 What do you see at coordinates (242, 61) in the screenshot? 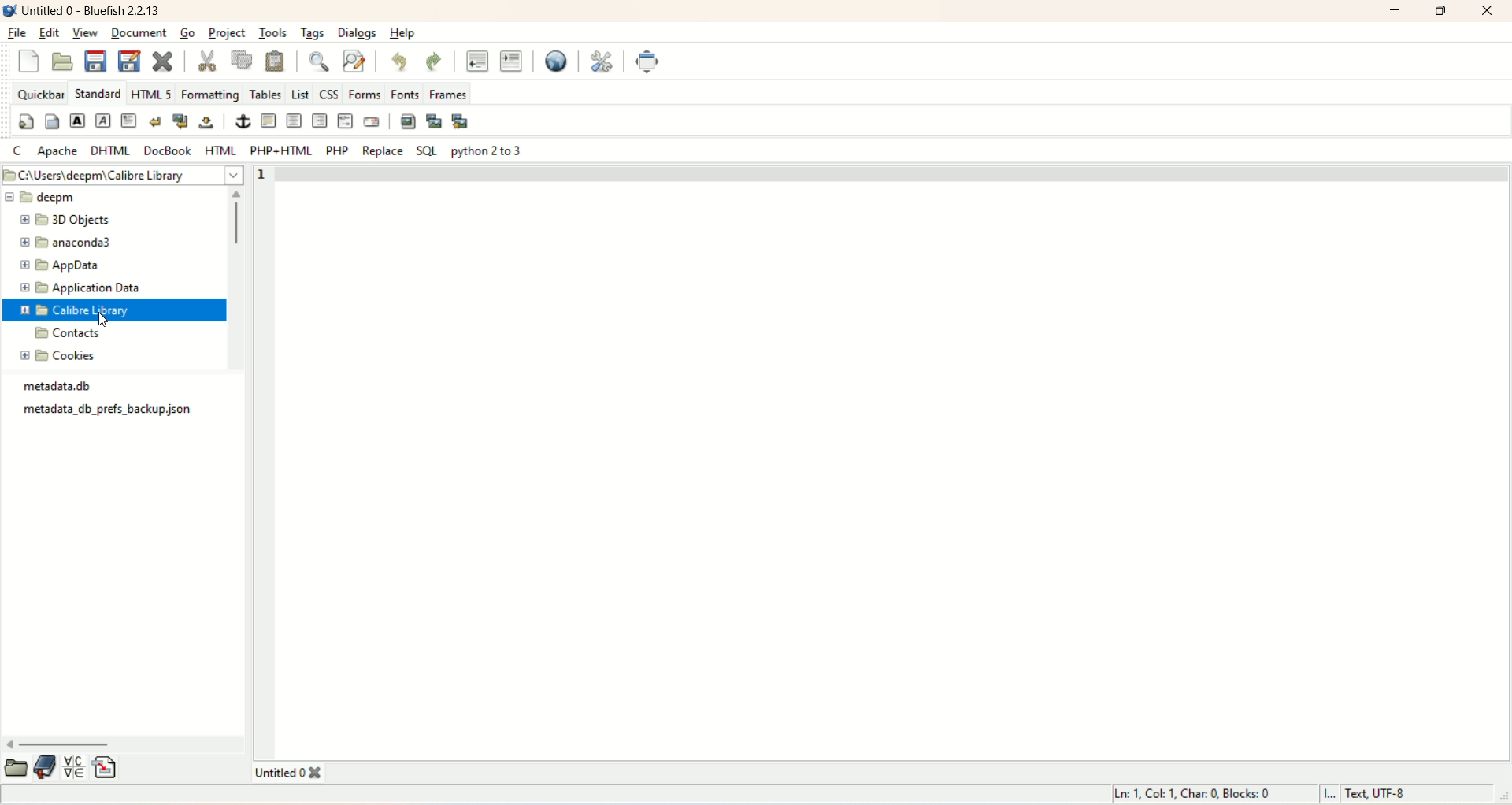
I see `copy` at bounding box center [242, 61].